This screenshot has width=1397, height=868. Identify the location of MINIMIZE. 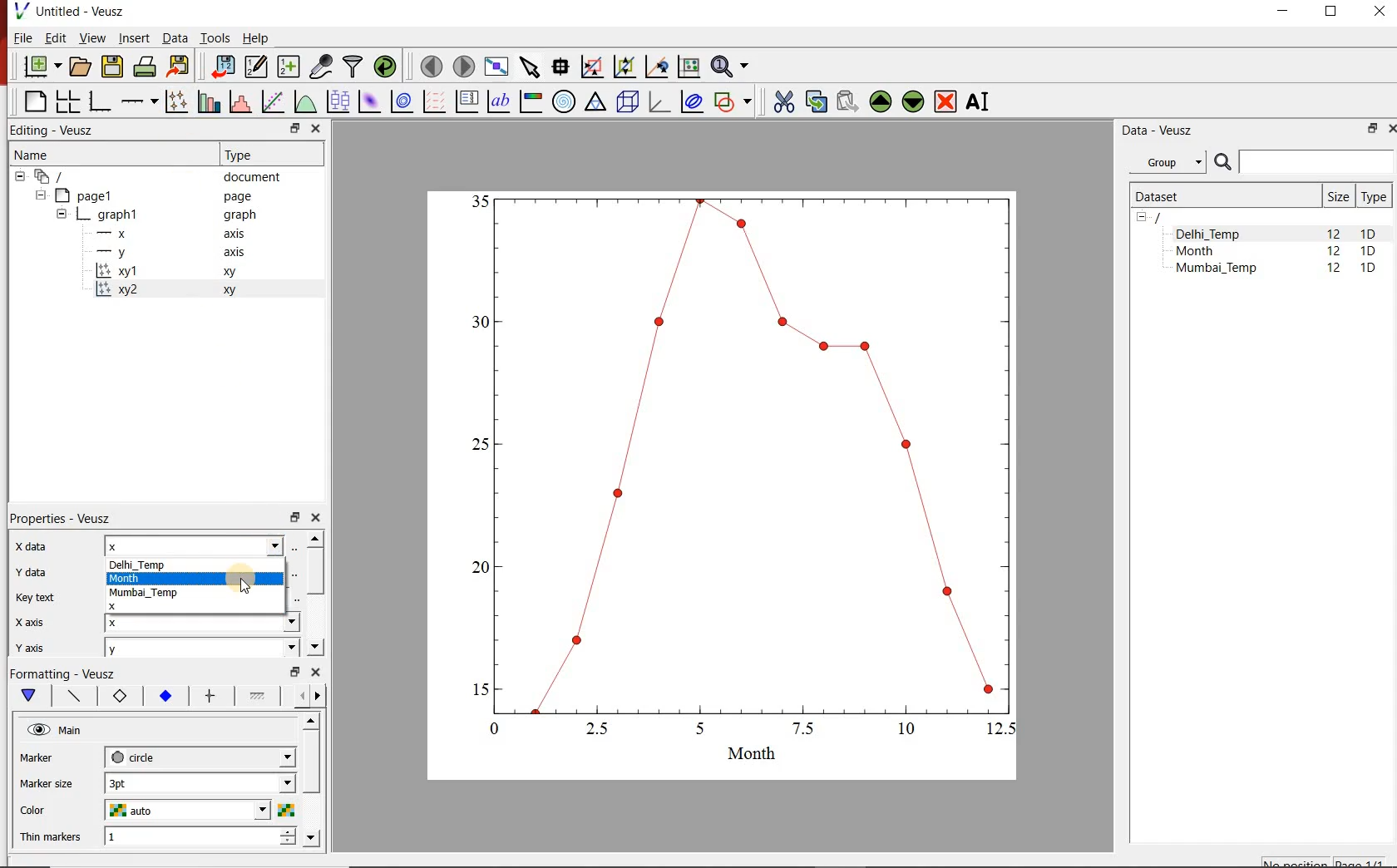
(1284, 12).